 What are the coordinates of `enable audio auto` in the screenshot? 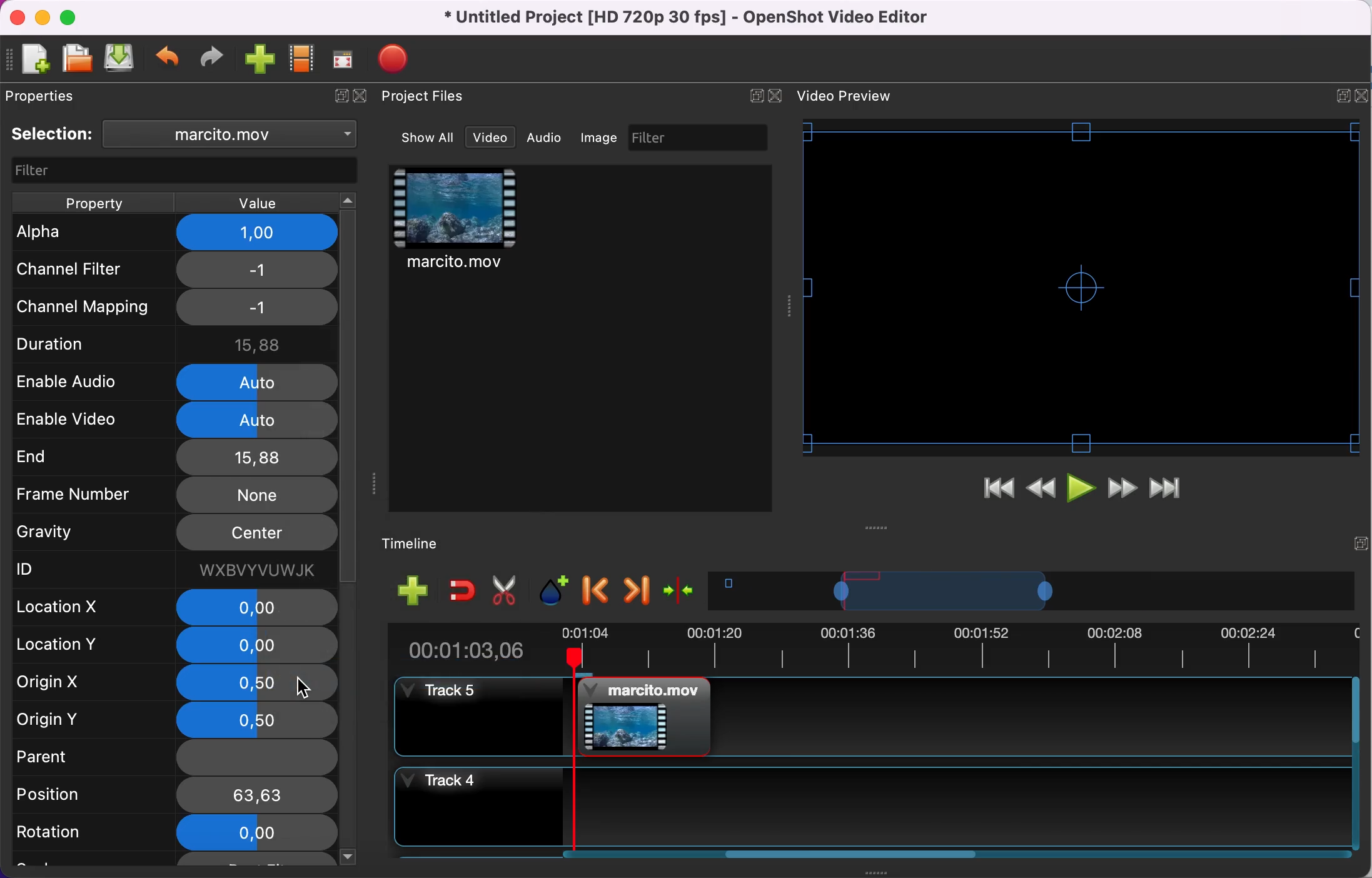 It's located at (170, 381).